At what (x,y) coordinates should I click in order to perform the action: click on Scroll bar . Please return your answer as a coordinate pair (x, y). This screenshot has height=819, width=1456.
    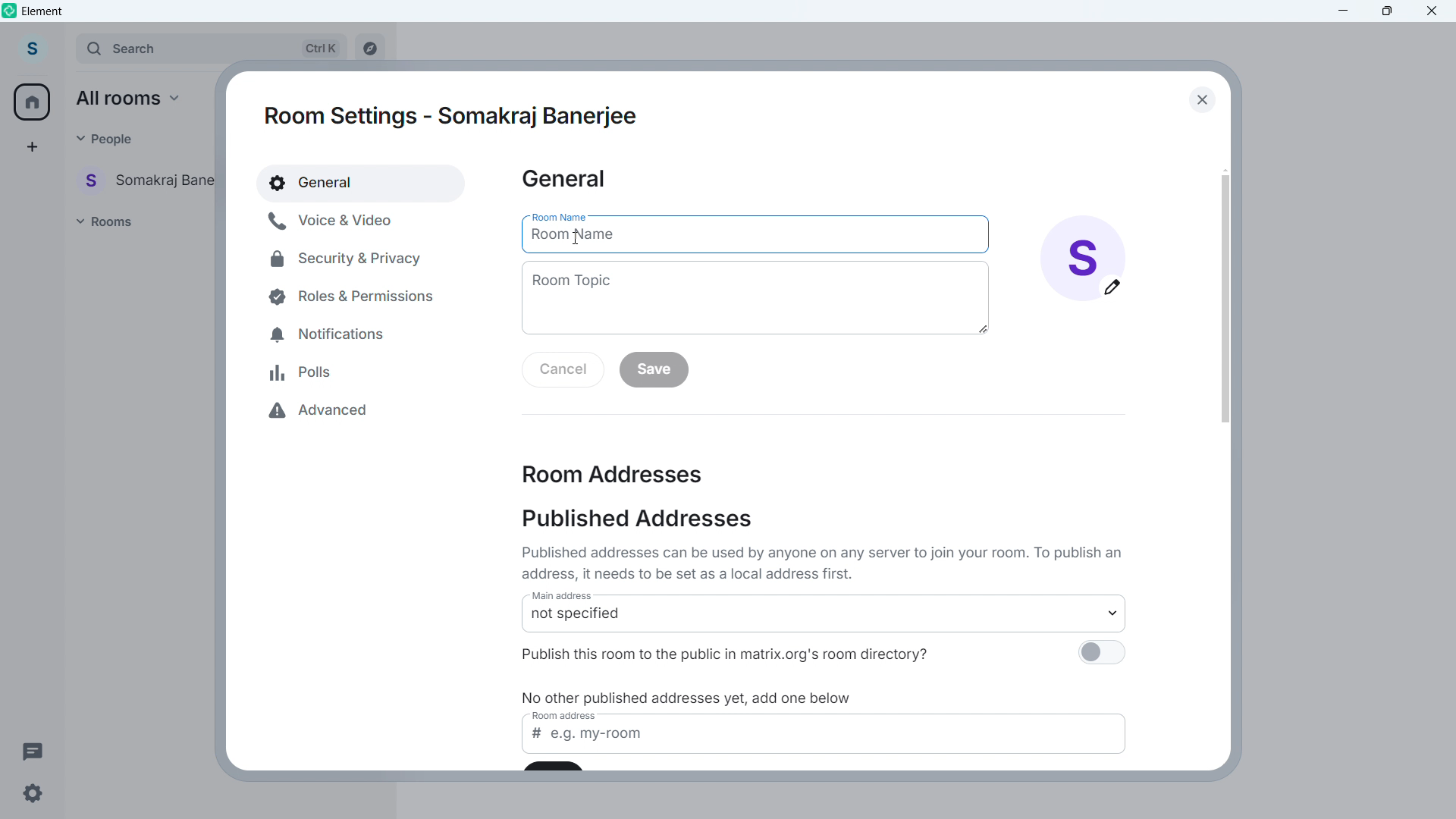
    Looking at the image, I should click on (1224, 298).